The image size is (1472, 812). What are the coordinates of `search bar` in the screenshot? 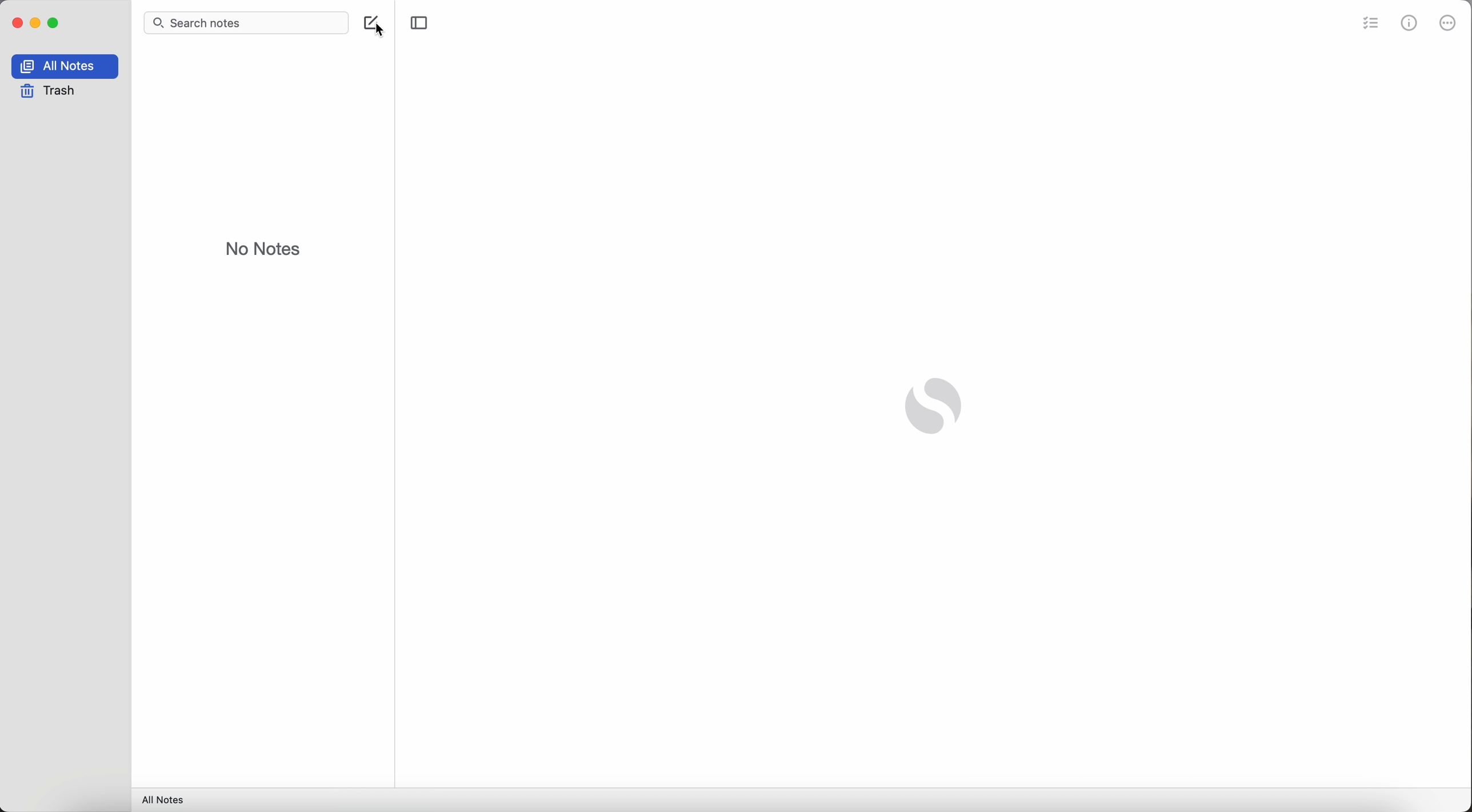 It's located at (245, 23).